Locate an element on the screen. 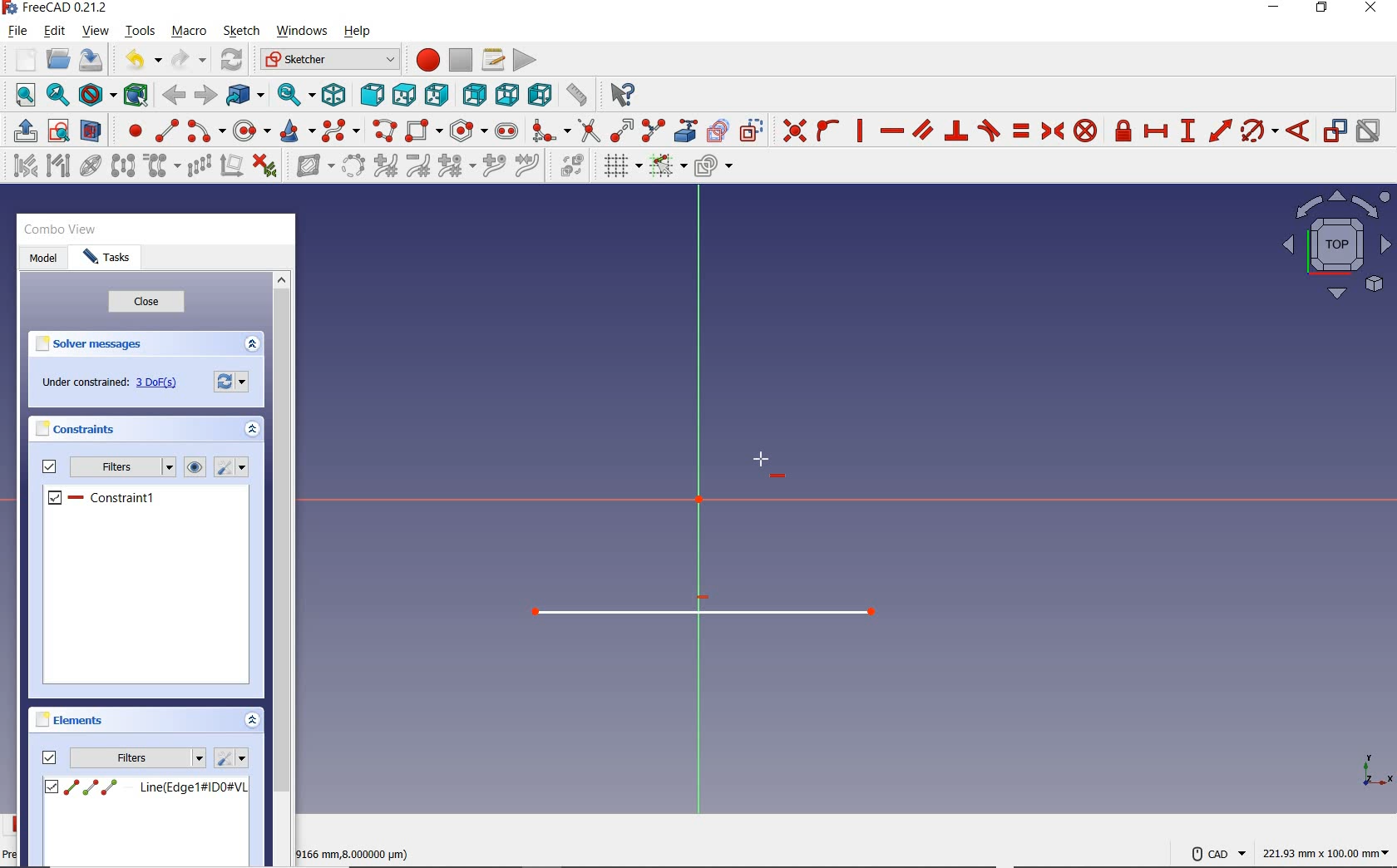 The width and height of the screenshot is (1397, 868). SYNC VIEW is located at coordinates (297, 96).